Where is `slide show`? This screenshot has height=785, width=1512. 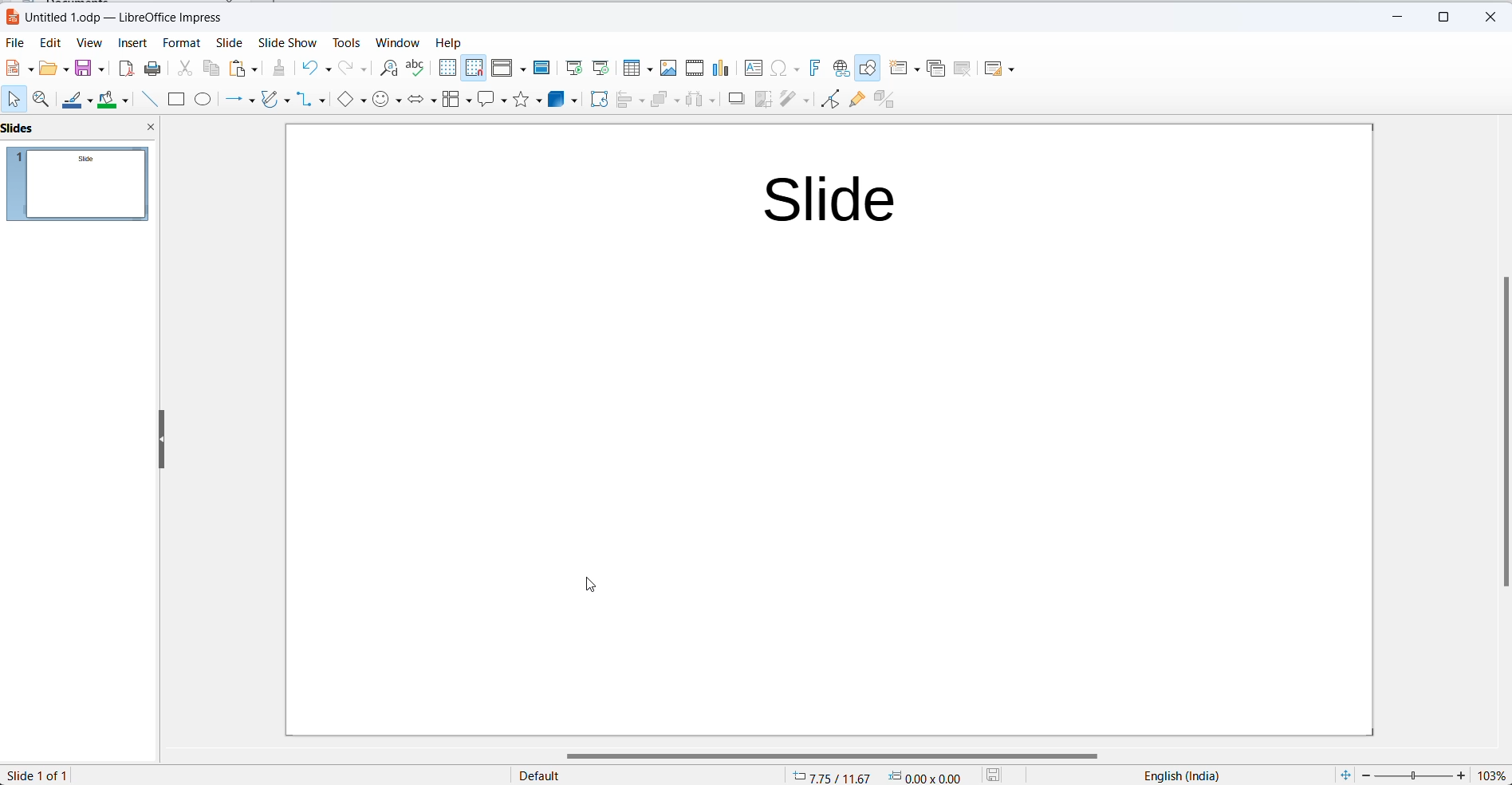
slide show is located at coordinates (285, 44).